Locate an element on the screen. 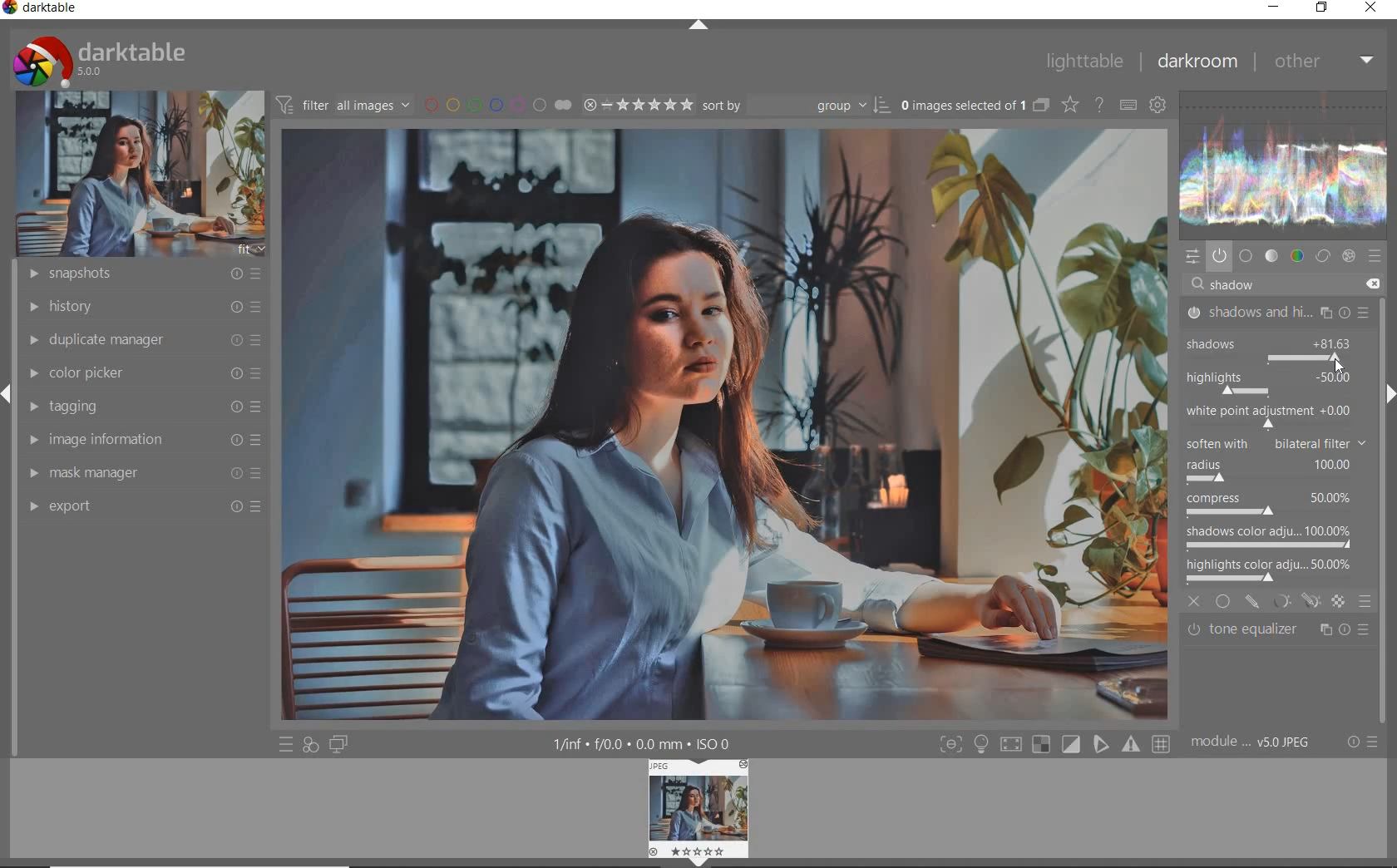  toggle modes is located at coordinates (1054, 744).